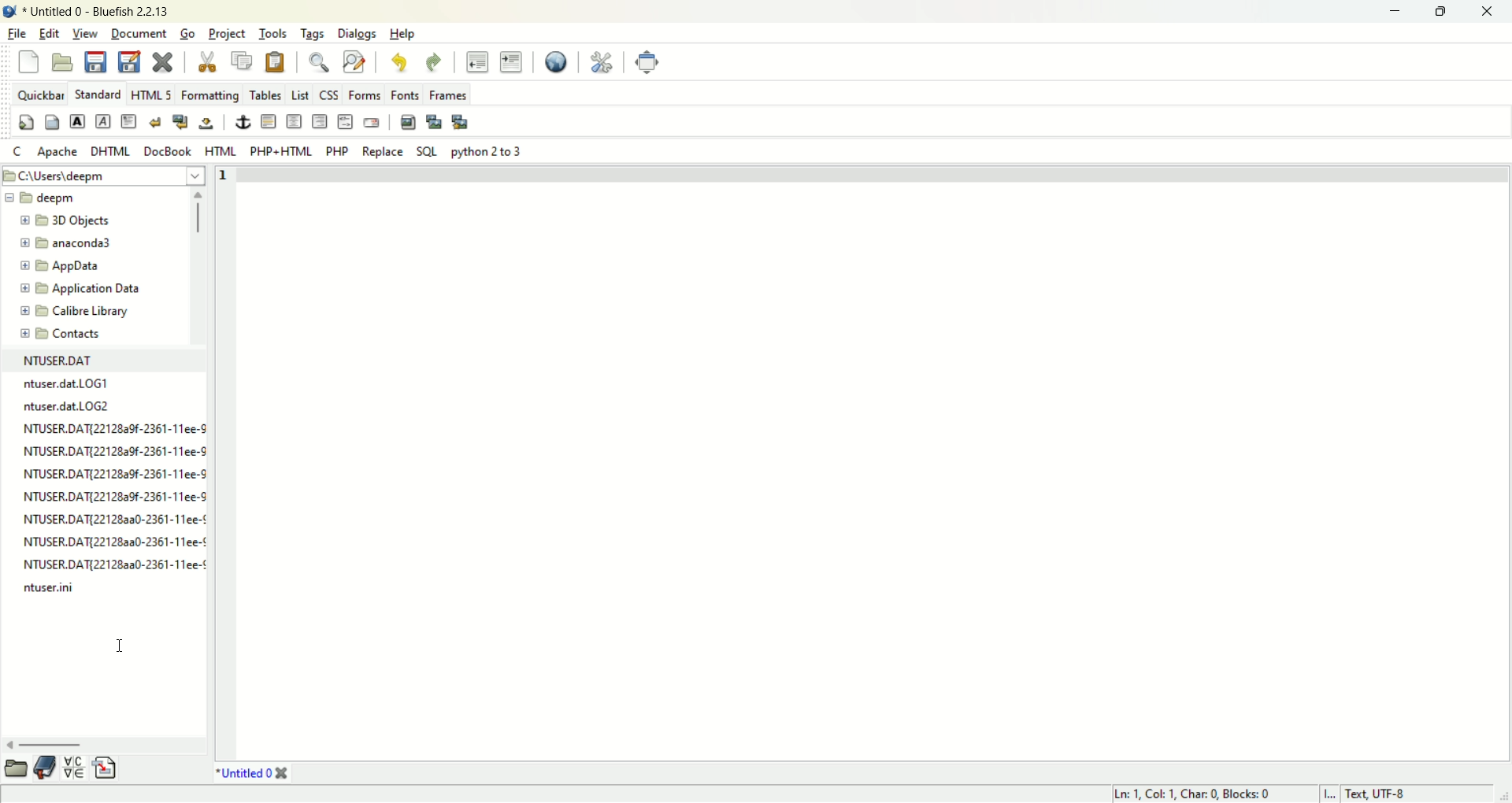 This screenshot has height=803, width=1512. Describe the element at coordinates (59, 361) in the screenshot. I see `NTUSER.DAT` at that location.